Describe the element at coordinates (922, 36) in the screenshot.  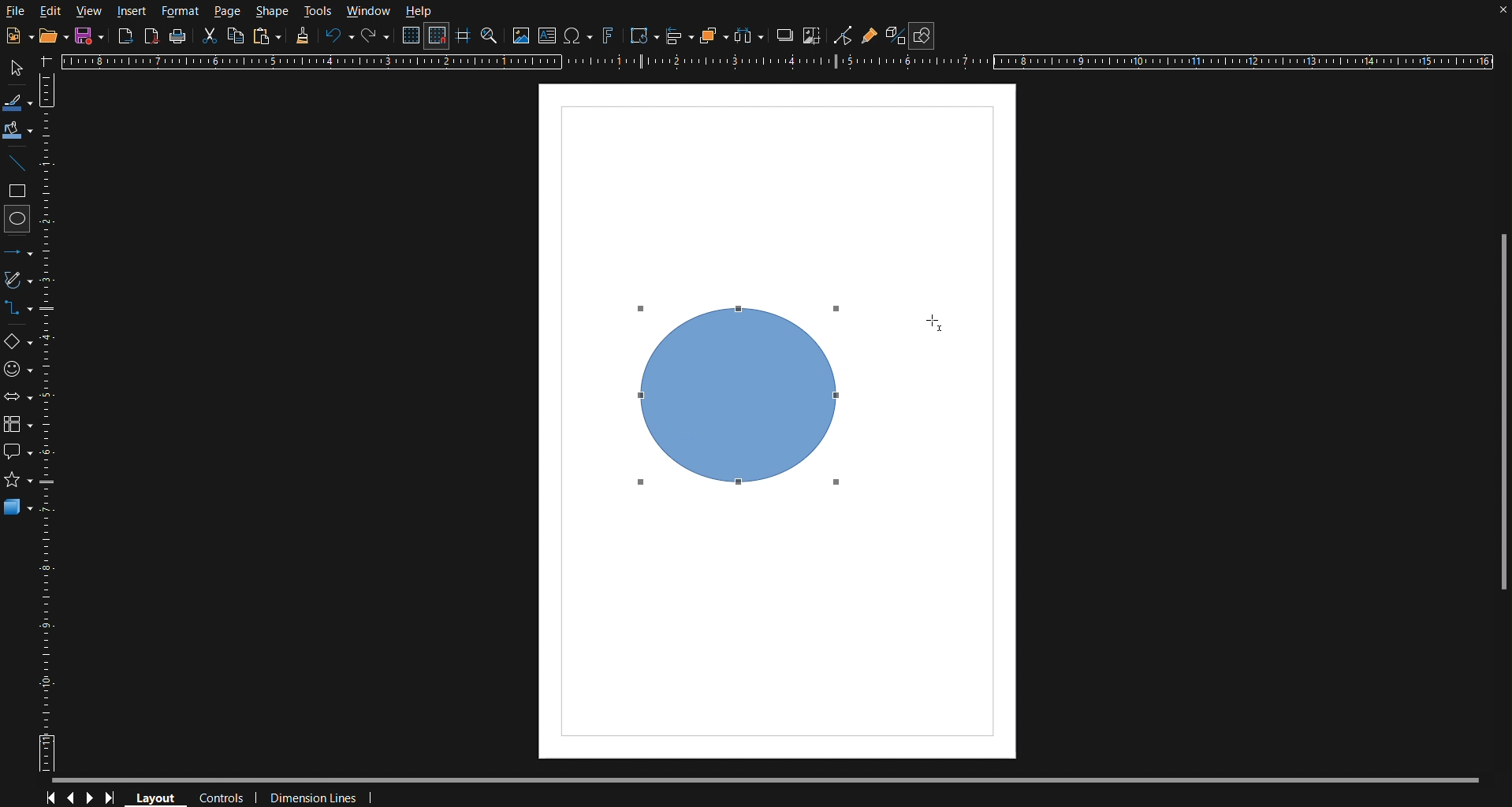
I see `Show Draw Functions` at that location.